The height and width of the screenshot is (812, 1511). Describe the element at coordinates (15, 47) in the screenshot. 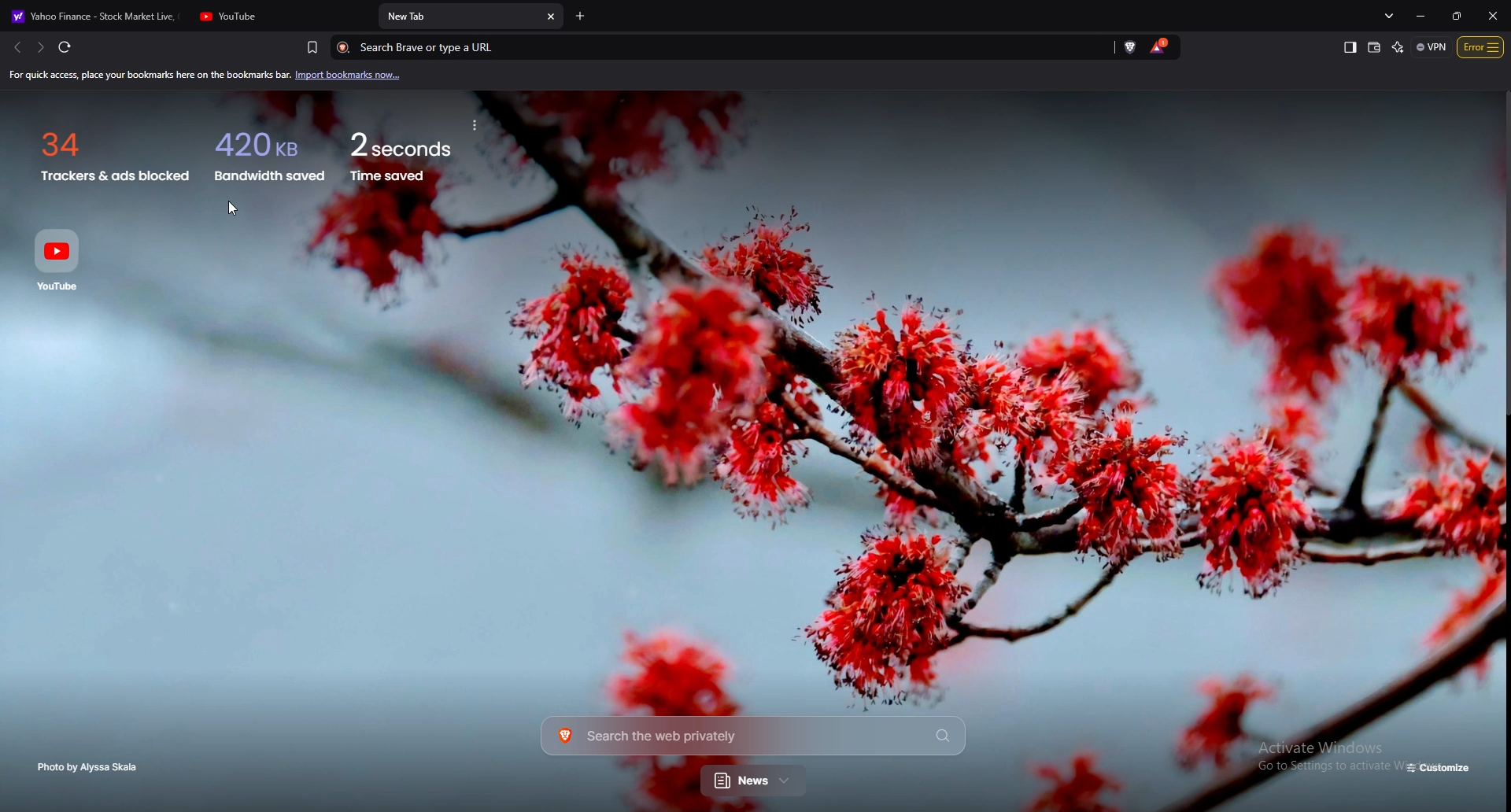

I see `back` at that location.